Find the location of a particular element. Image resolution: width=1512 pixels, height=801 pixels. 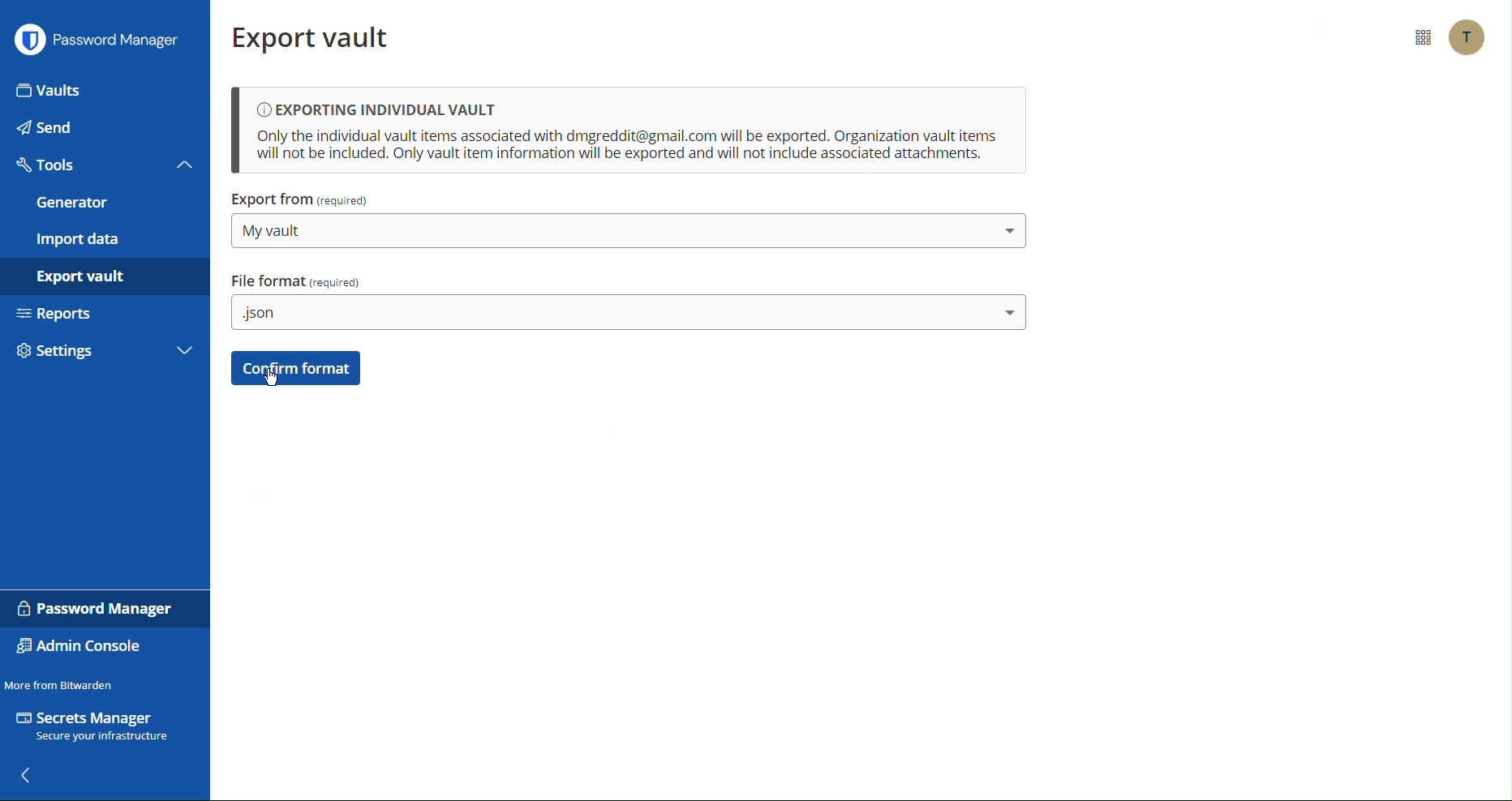

Admin Console is located at coordinates (85, 647).